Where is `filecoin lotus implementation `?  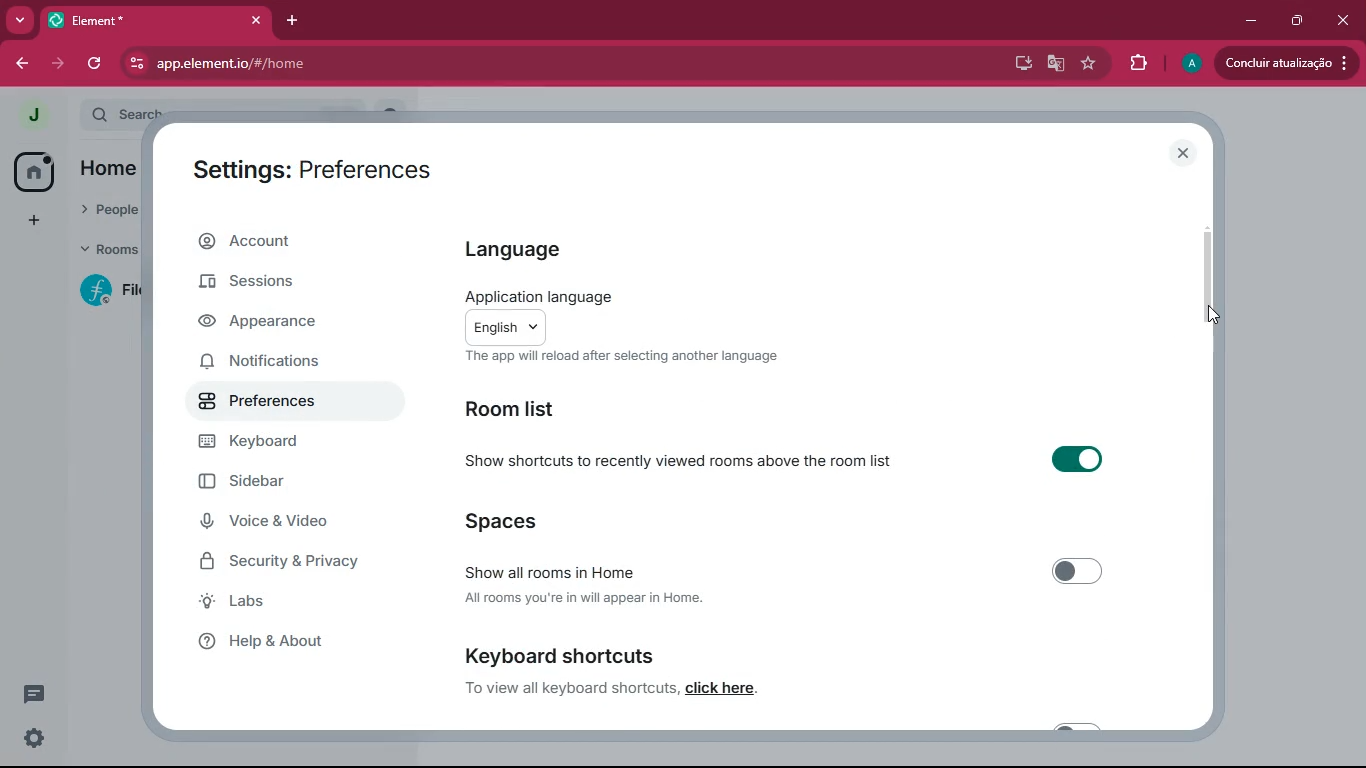 filecoin lotus implementation  is located at coordinates (118, 292).